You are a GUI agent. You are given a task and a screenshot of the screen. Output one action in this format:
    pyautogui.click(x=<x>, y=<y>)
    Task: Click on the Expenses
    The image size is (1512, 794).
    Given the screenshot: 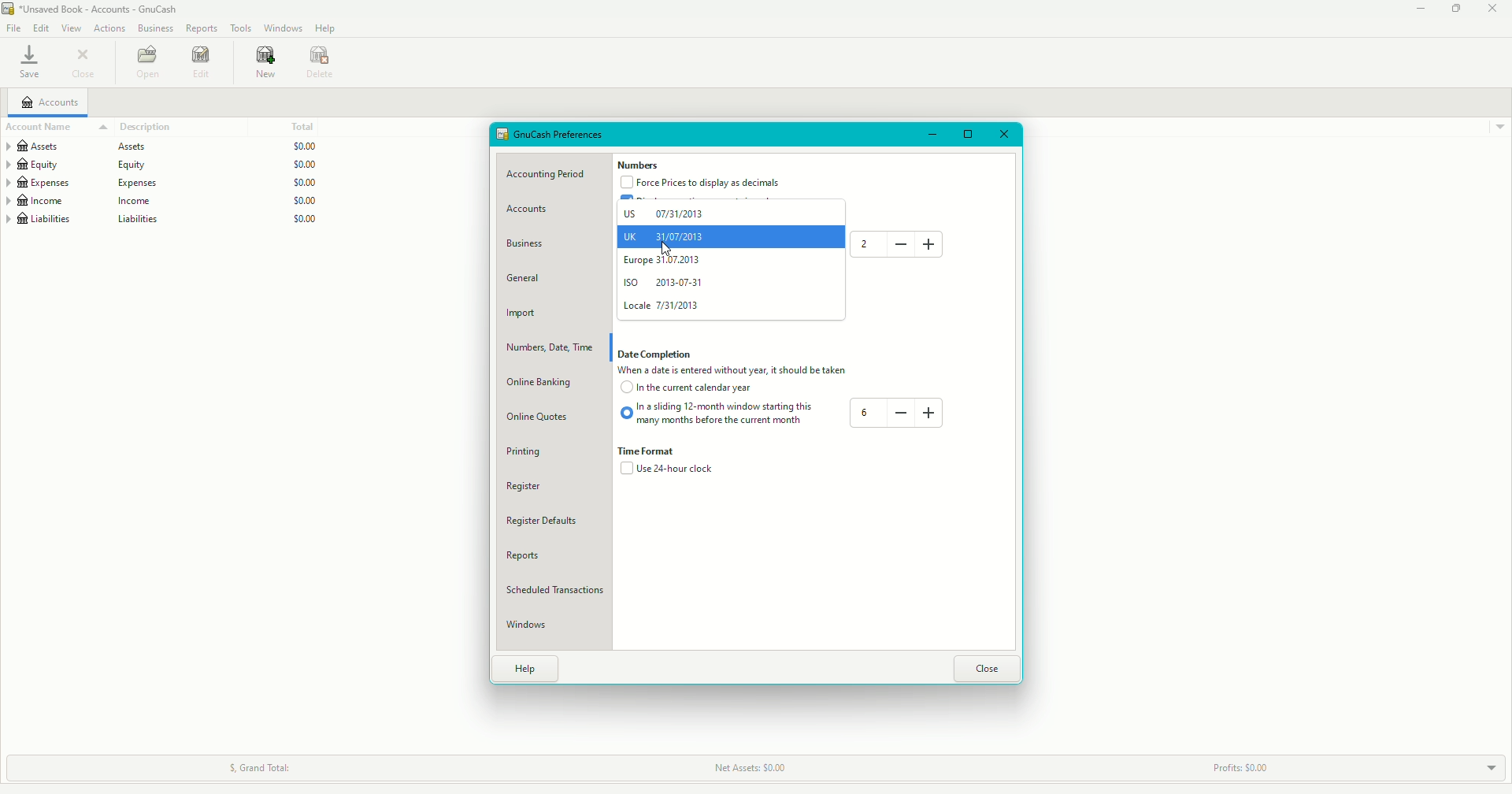 What is the action you would take?
    pyautogui.click(x=164, y=183)
    